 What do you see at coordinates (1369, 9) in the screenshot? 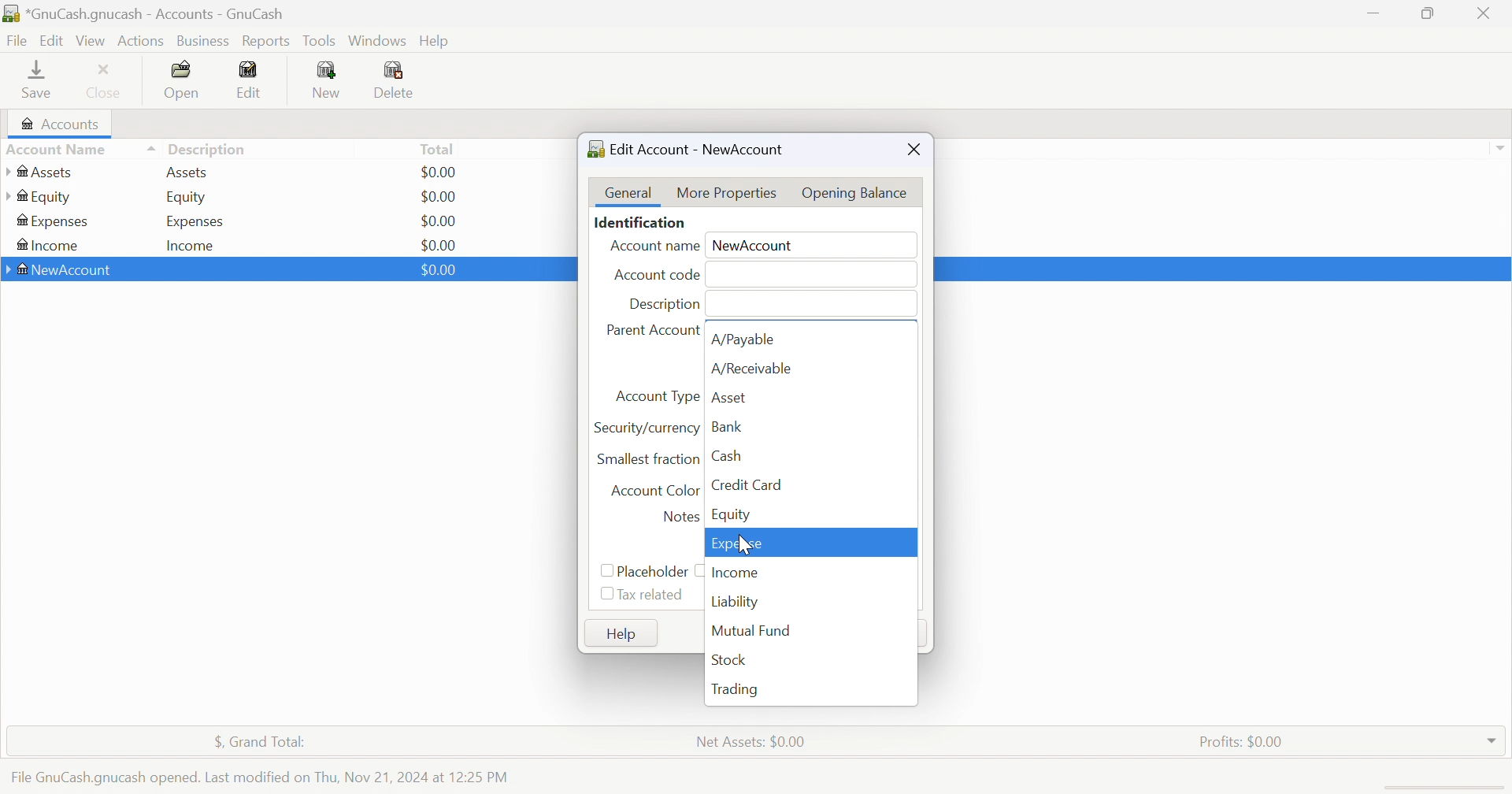
I see `Minimize` at bounding box center [1369, 9].